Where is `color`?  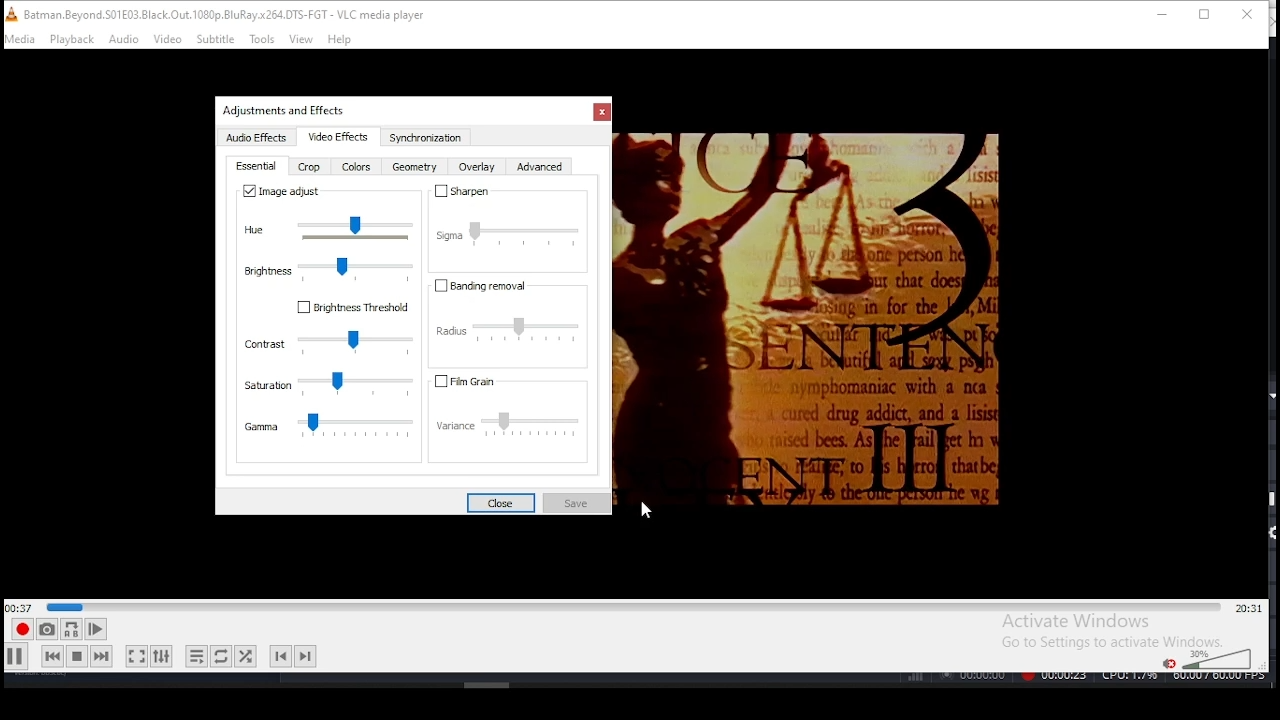
color is located at coordinates (356, 168).